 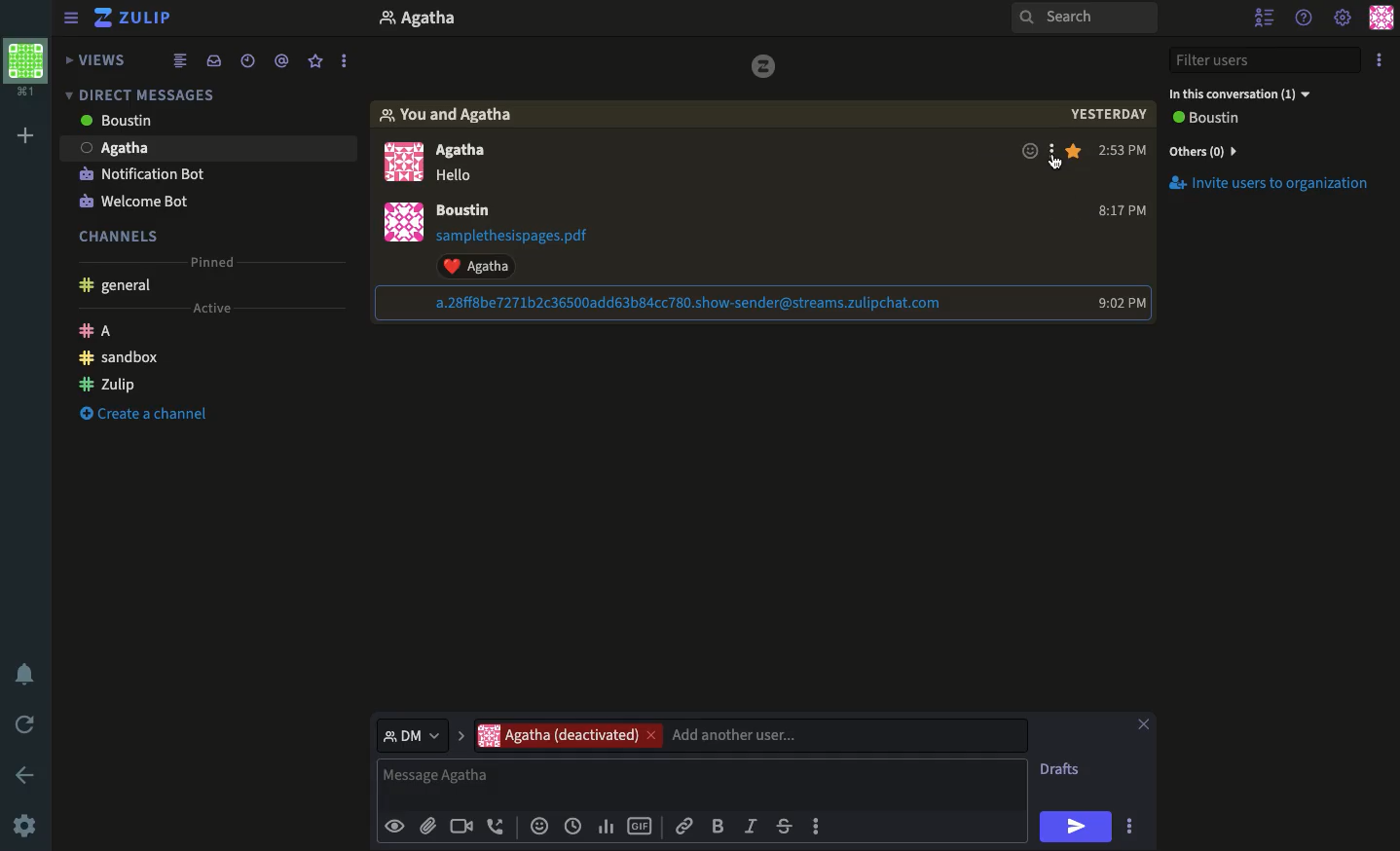 What do you see at coordinates (1239, 94) in the screenshot?
I see `In this conversation` at bounding box center [1239, 94].